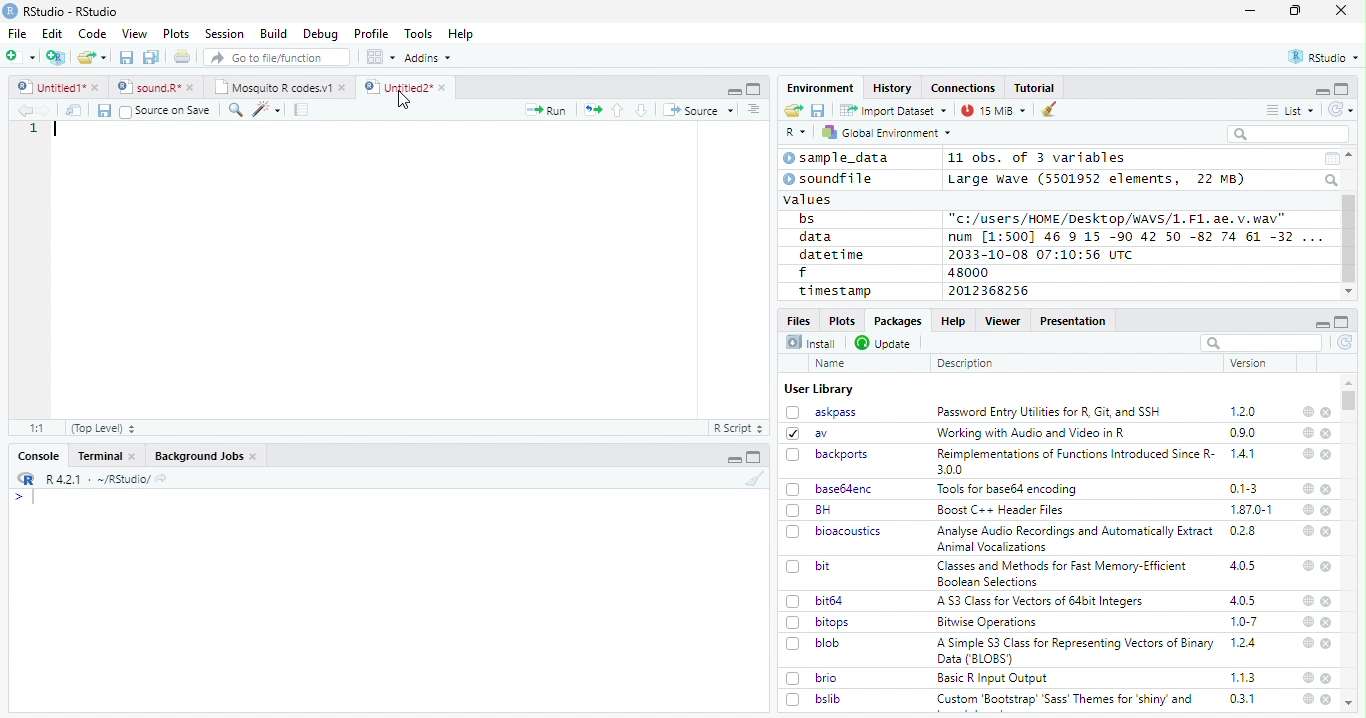 This screenshot has width=1366, height=718. What do you see at coordinates (76, 110) in the screenshot?
I see `Show in new window` at bounding box center [76, 110].